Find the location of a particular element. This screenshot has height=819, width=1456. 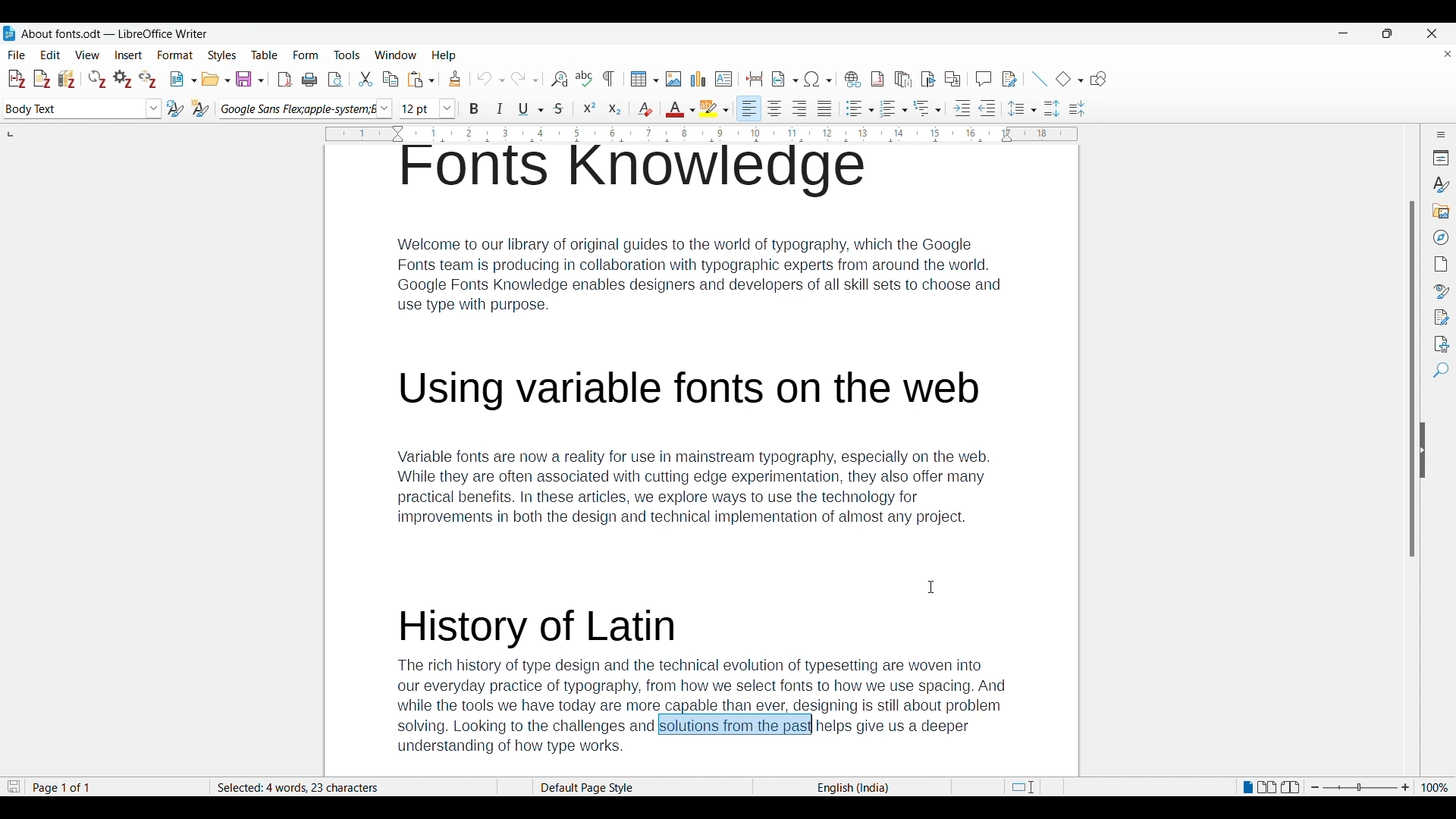

Select outline format options is located at coordinates (927, 108).